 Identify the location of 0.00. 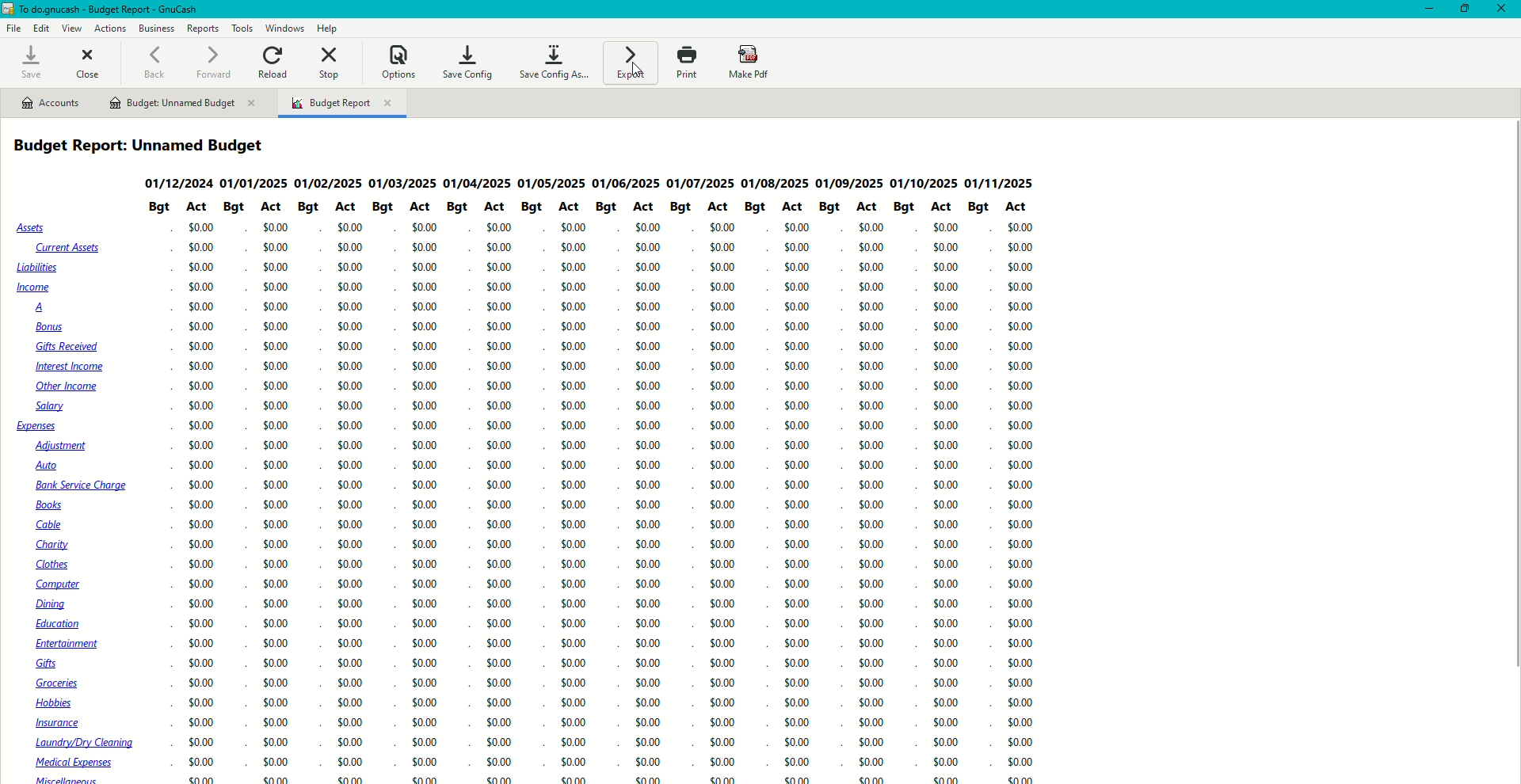
(200, 306).